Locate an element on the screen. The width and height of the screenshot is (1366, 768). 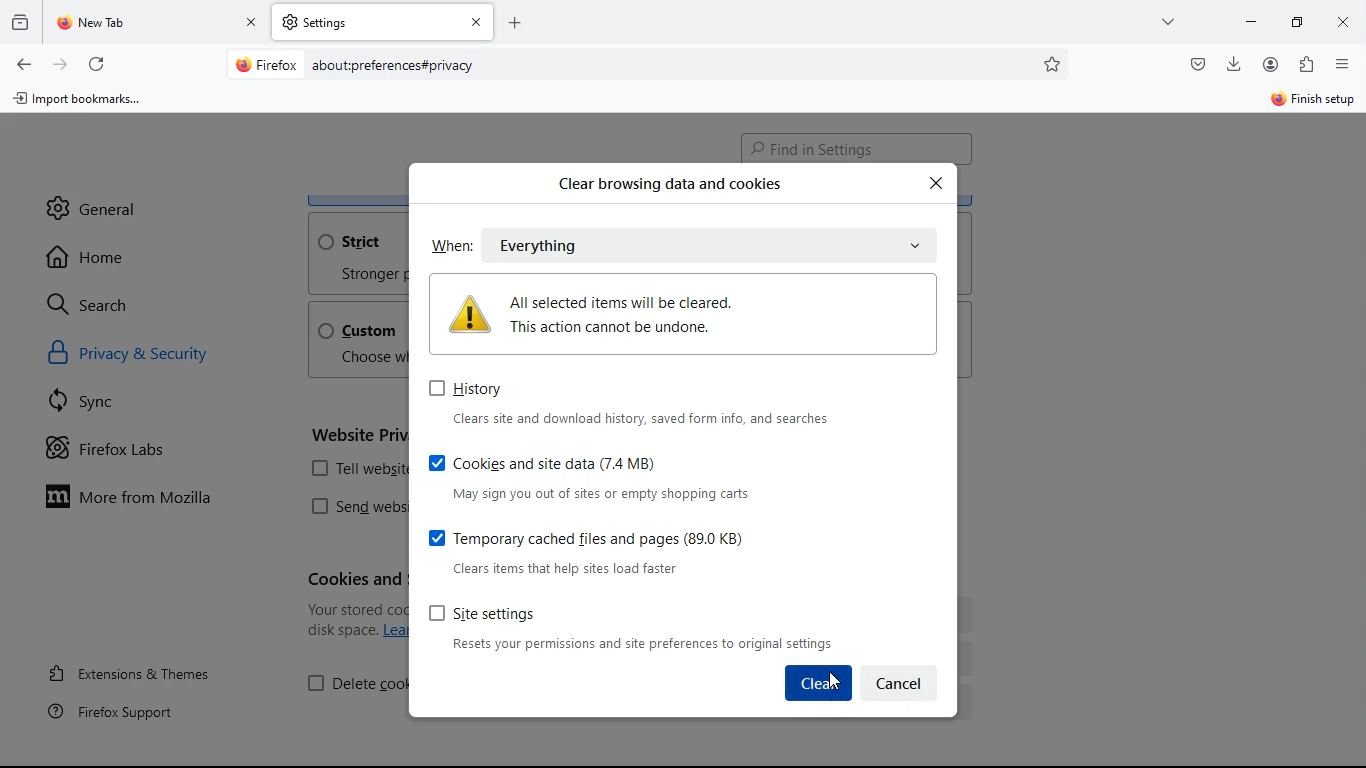
general is located at coordinates (93, 201).